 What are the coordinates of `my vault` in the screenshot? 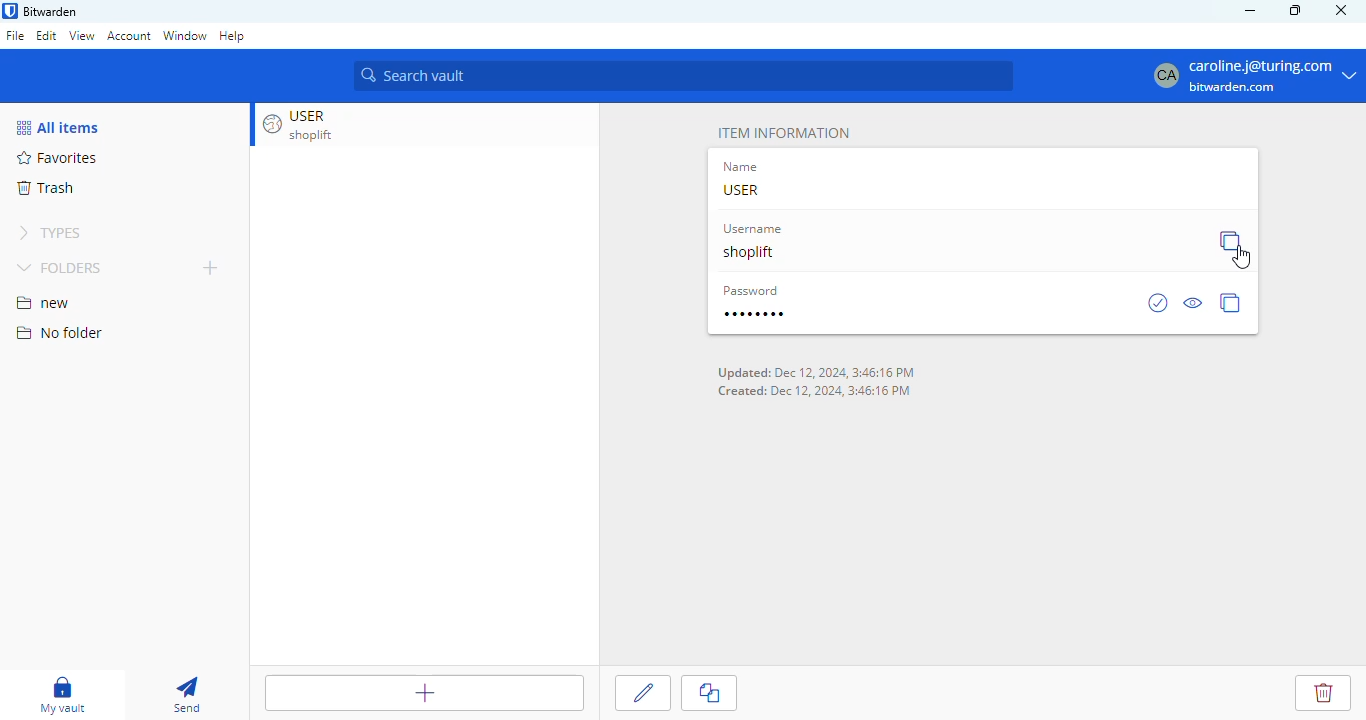 It's located at (64, 693).